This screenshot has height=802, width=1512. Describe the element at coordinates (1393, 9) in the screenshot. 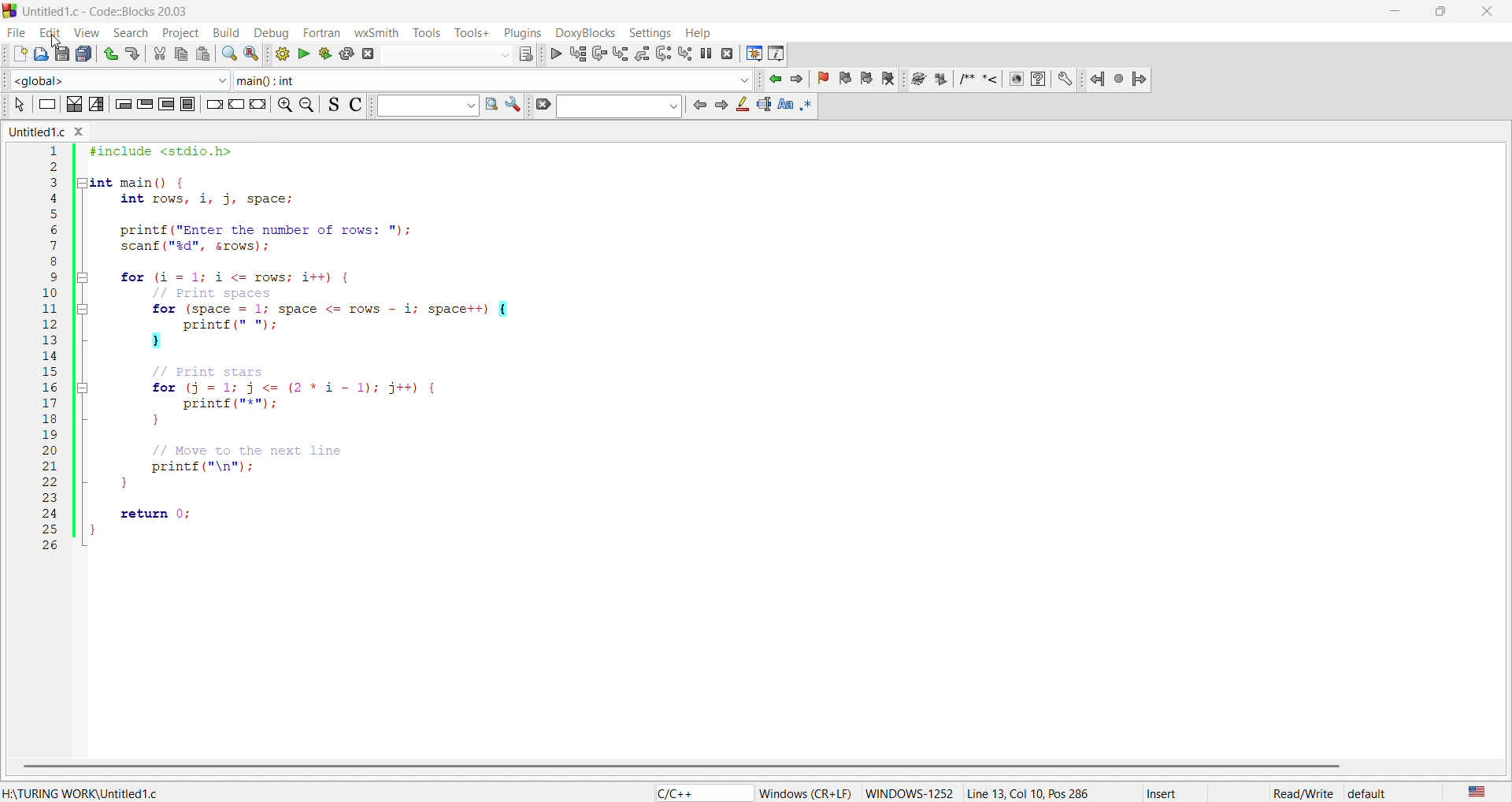

I see `minimize` at that location.